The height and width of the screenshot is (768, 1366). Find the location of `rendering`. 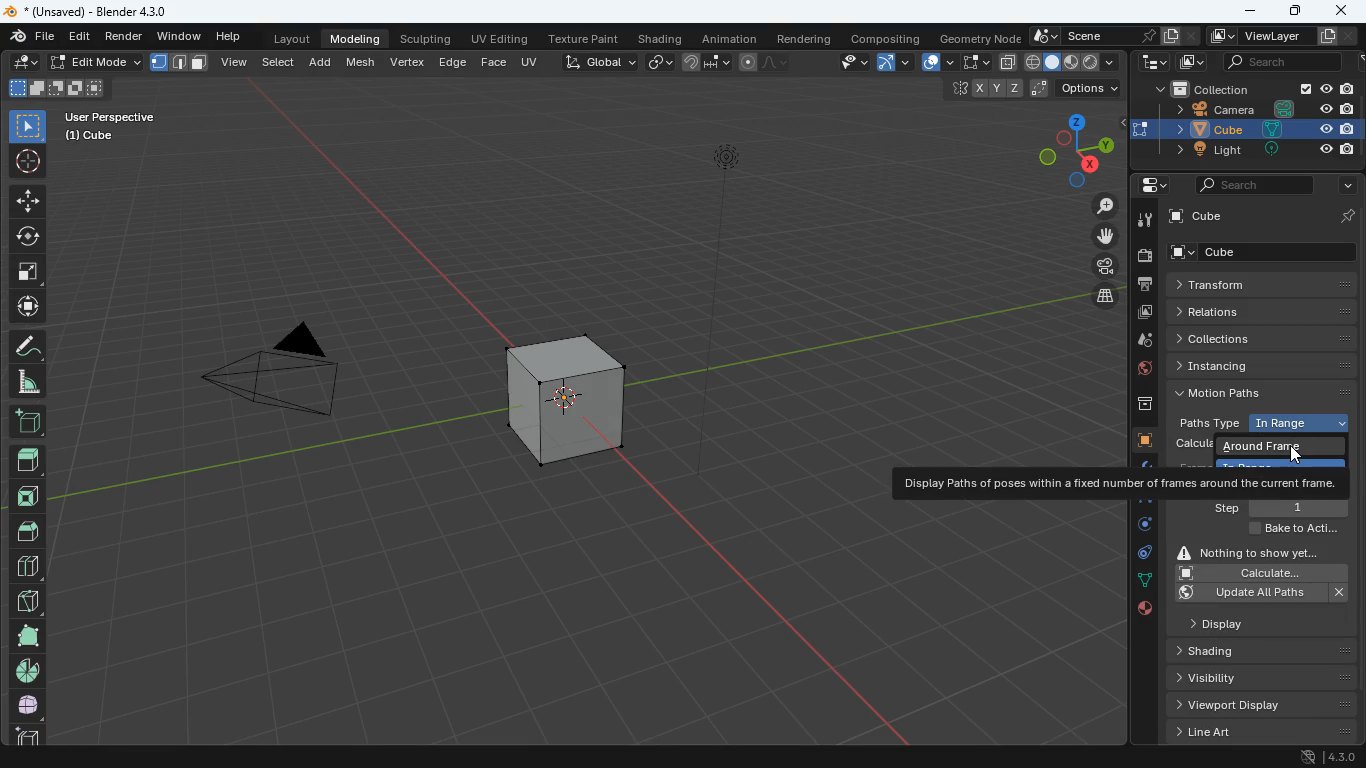

rendering is located at coordinates (805, 39).